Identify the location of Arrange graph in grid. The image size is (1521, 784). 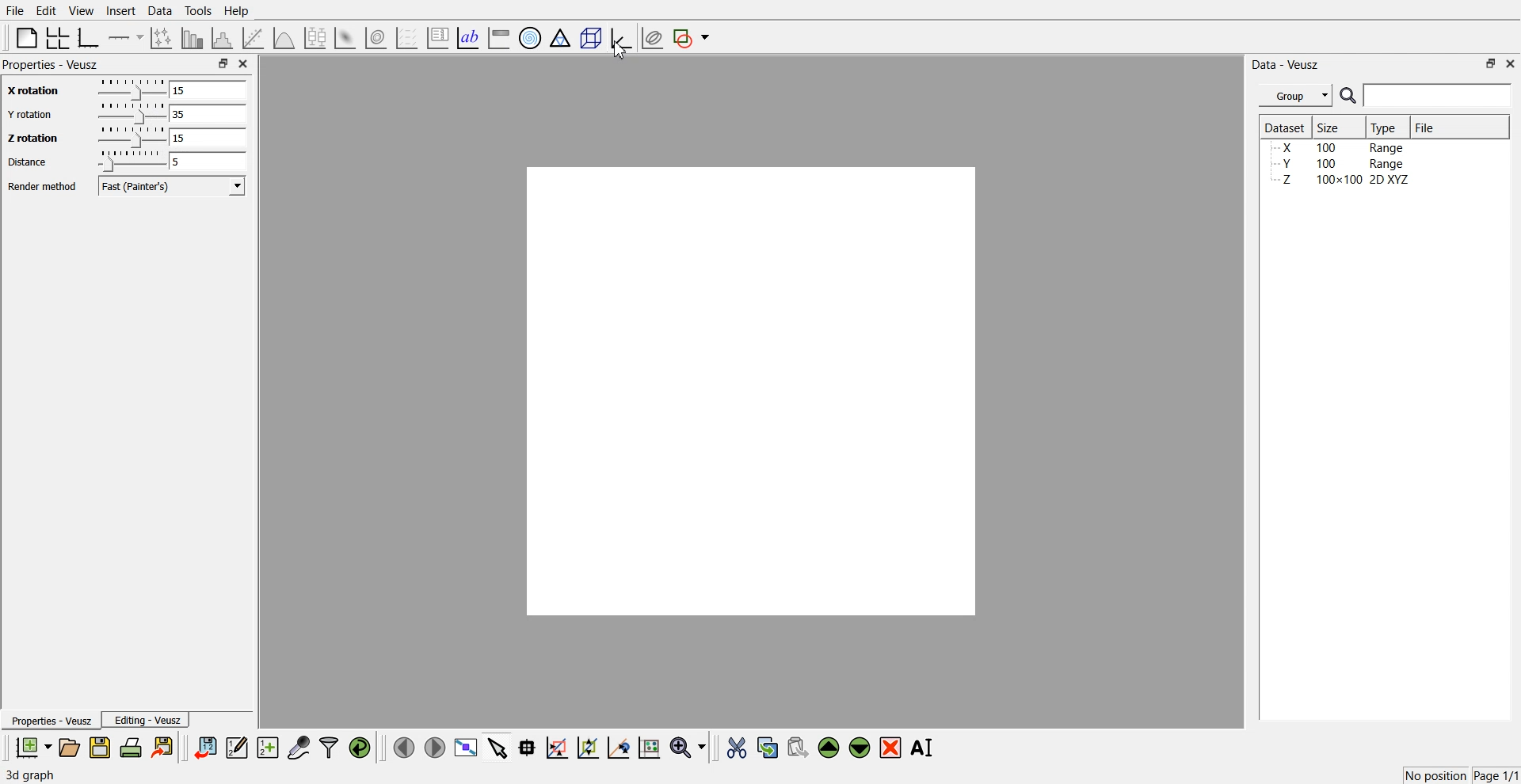
(58, 39).